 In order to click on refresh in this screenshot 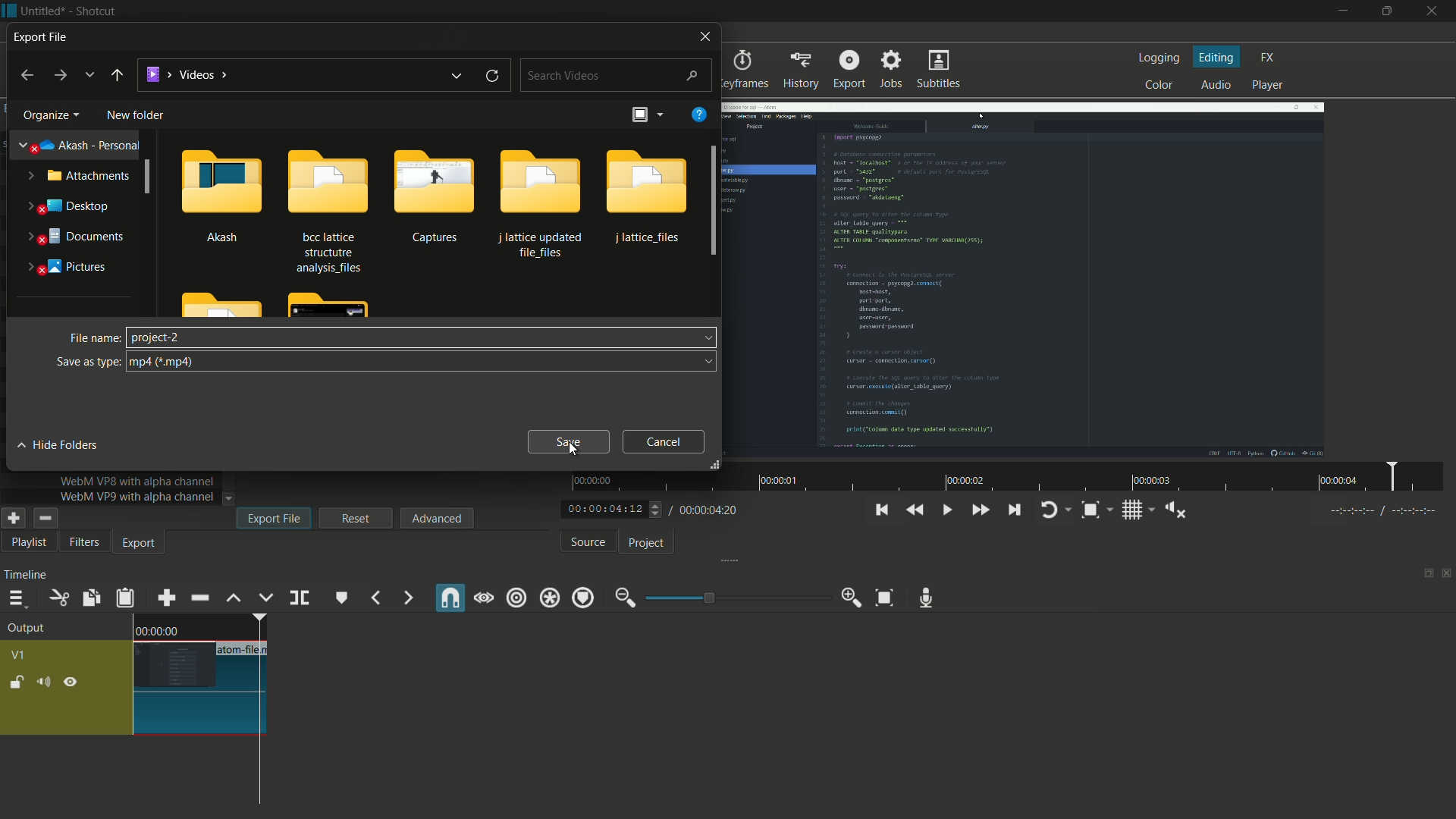, I will do `click(492, 77)`.